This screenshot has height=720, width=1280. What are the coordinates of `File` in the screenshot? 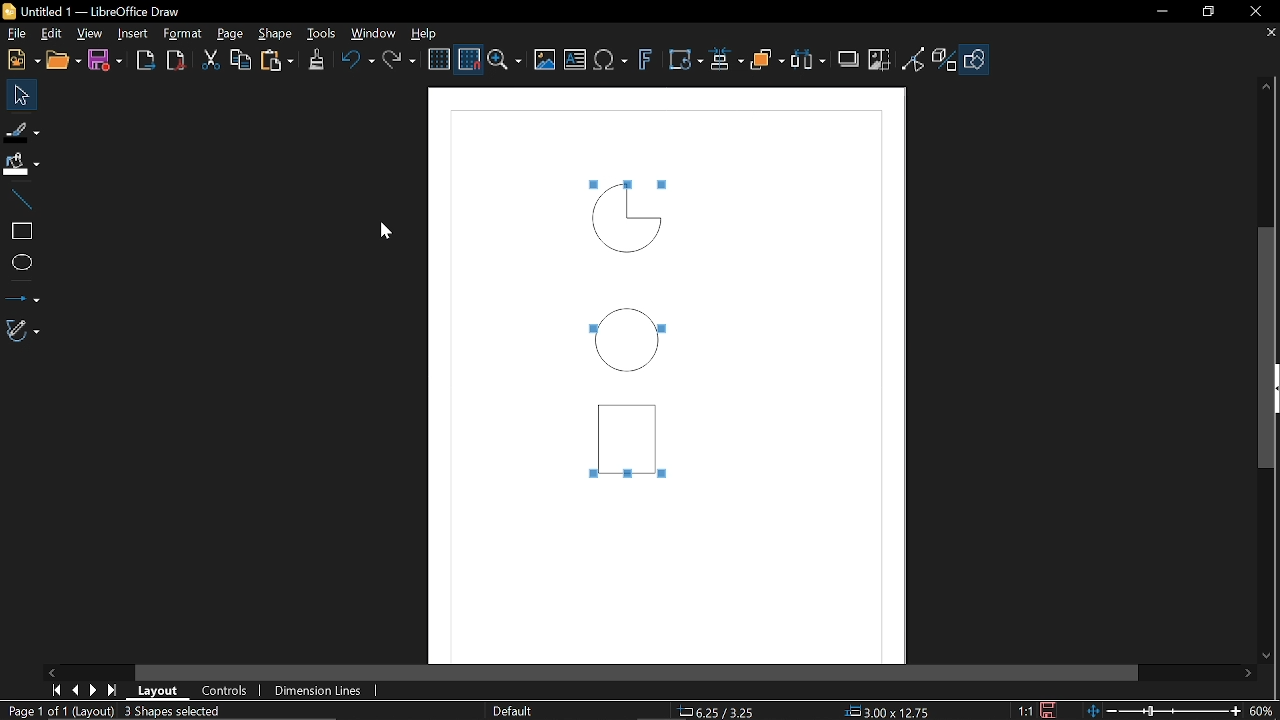 It's located at (17, 32).